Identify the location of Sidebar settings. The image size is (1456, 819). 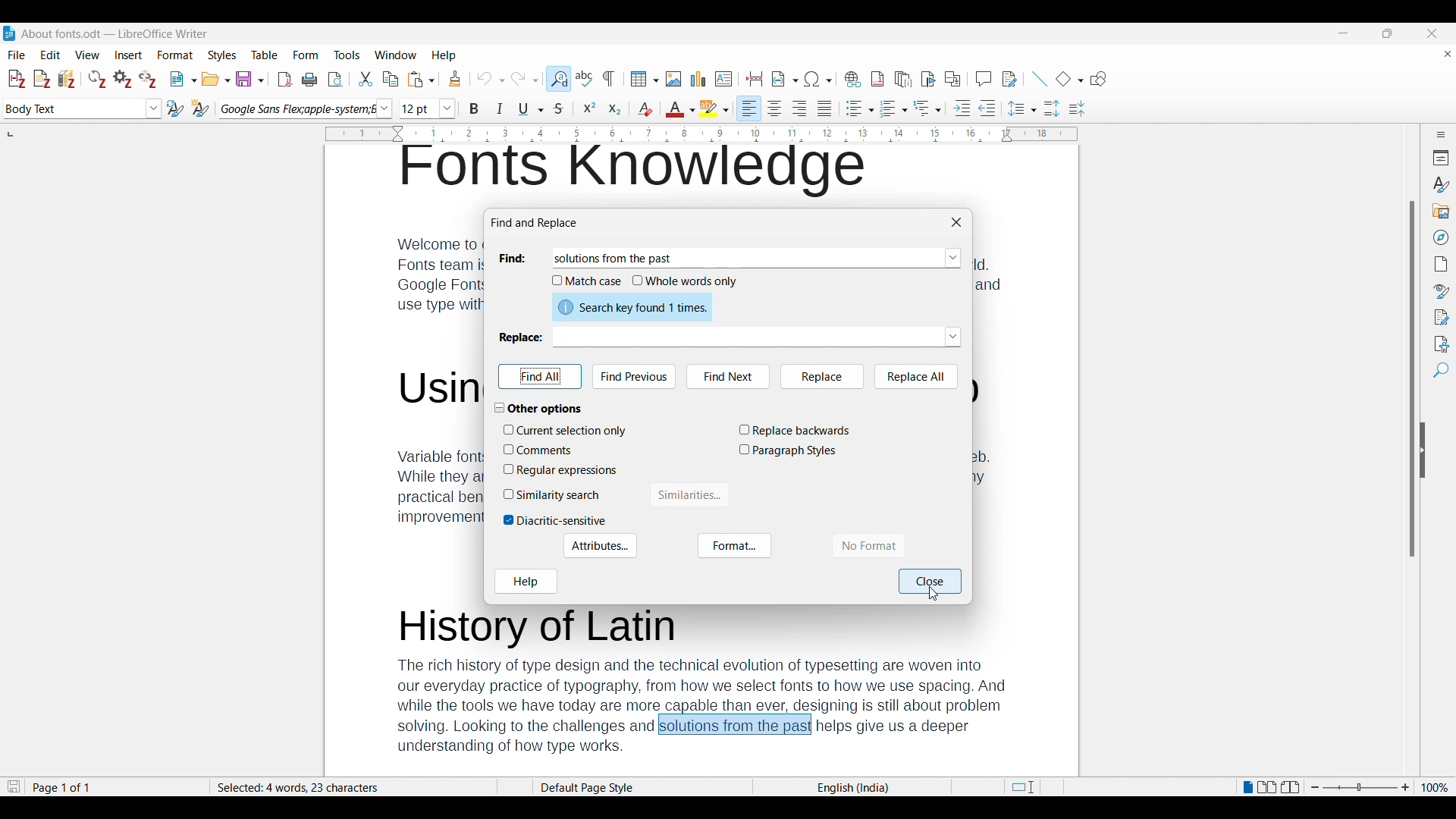
(1441, 134).